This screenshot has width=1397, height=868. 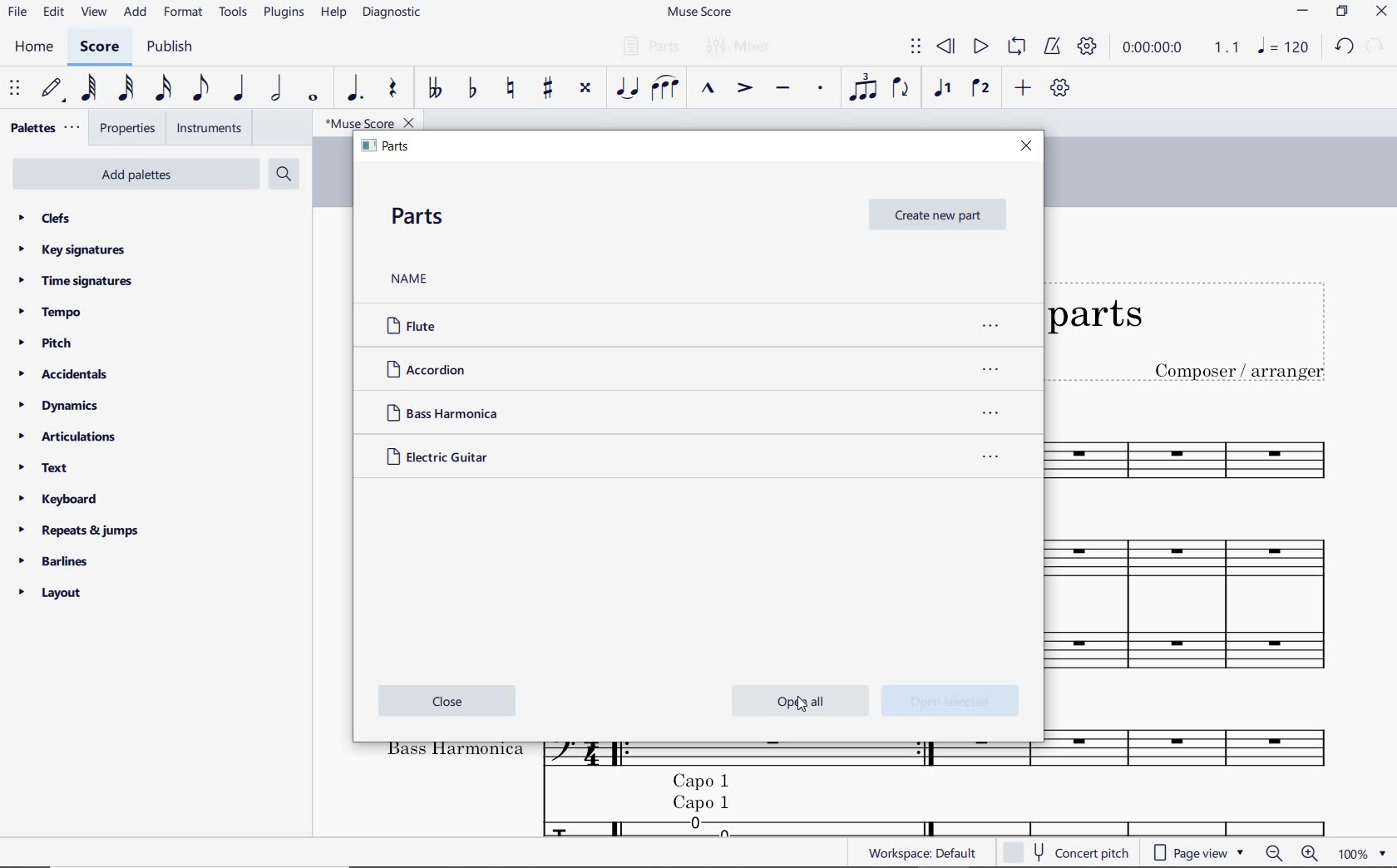 What do you see at coordinates (1377, 46) in the screenshot?
I see `REDO` at bounding box center [1377, 46].